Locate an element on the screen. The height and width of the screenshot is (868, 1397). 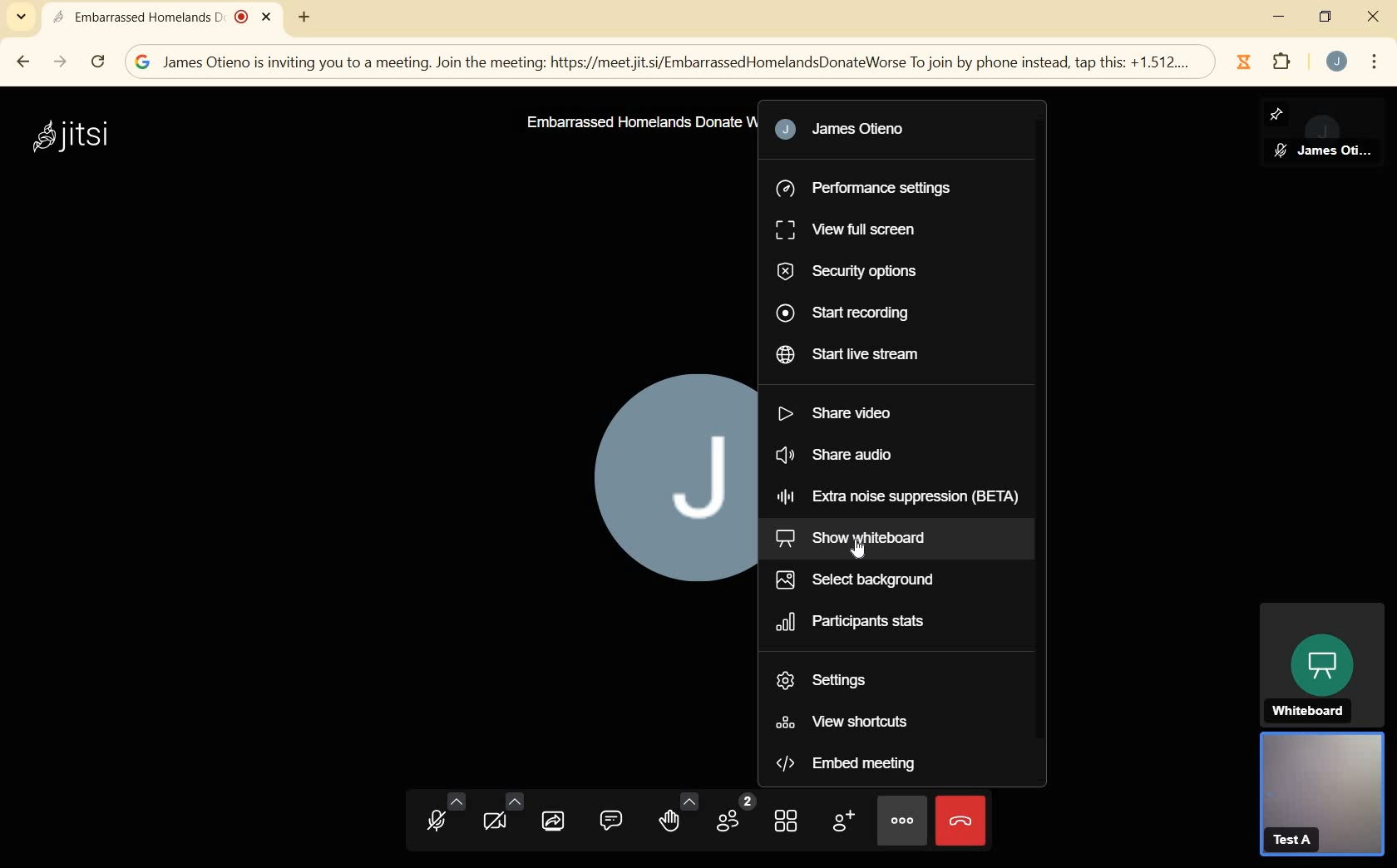
new tab is located at coordinates (304, 16).